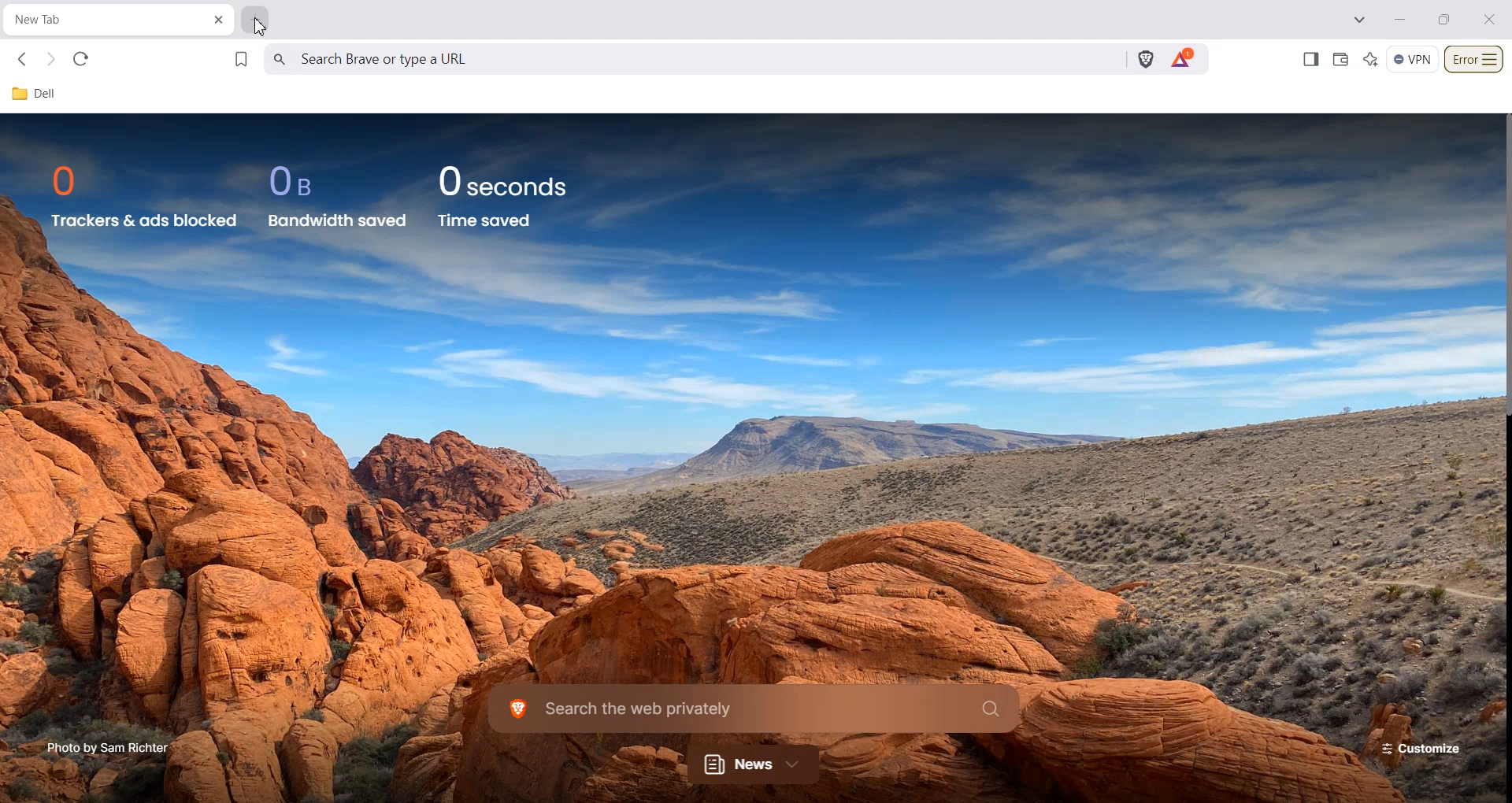  What do you see at coordinates (1371, 60) in the screenshot?
I see `Leo AI` at bounding box center [1371, 60].